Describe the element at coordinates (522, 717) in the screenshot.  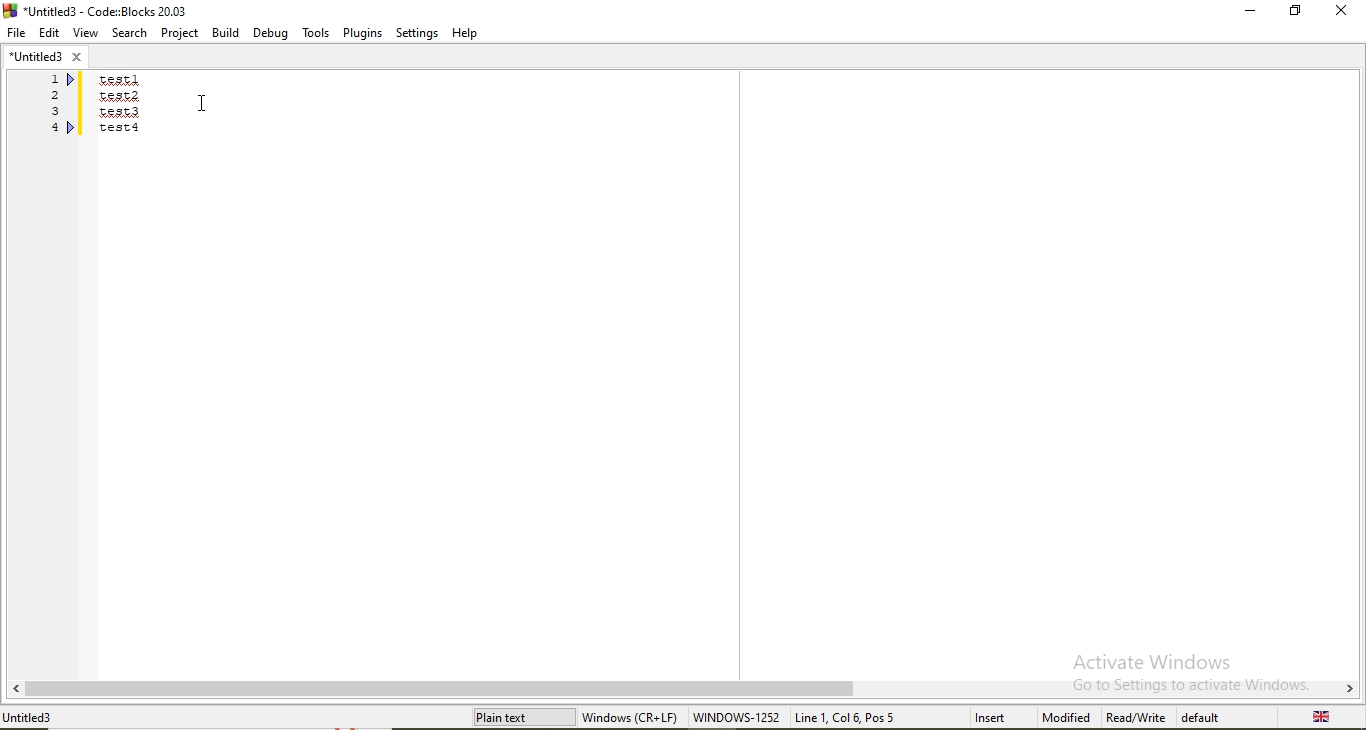
I see `plain text` at that location.